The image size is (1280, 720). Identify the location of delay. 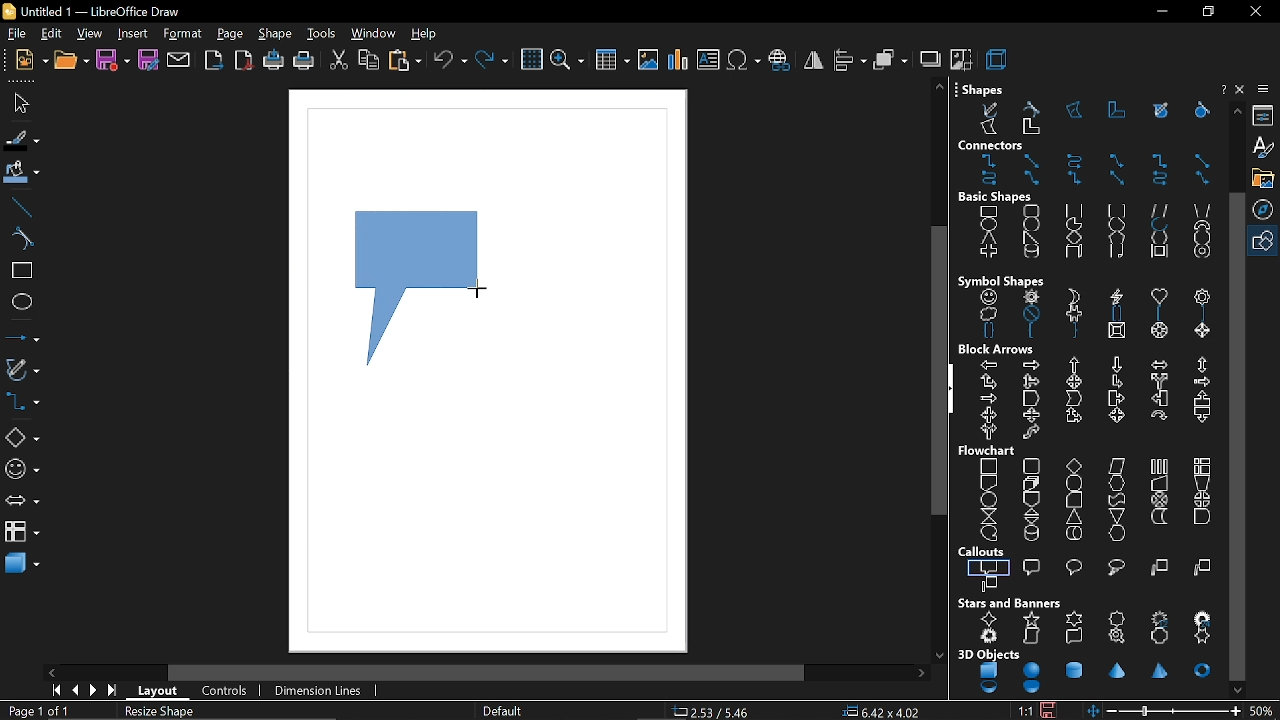
(1201, 517).